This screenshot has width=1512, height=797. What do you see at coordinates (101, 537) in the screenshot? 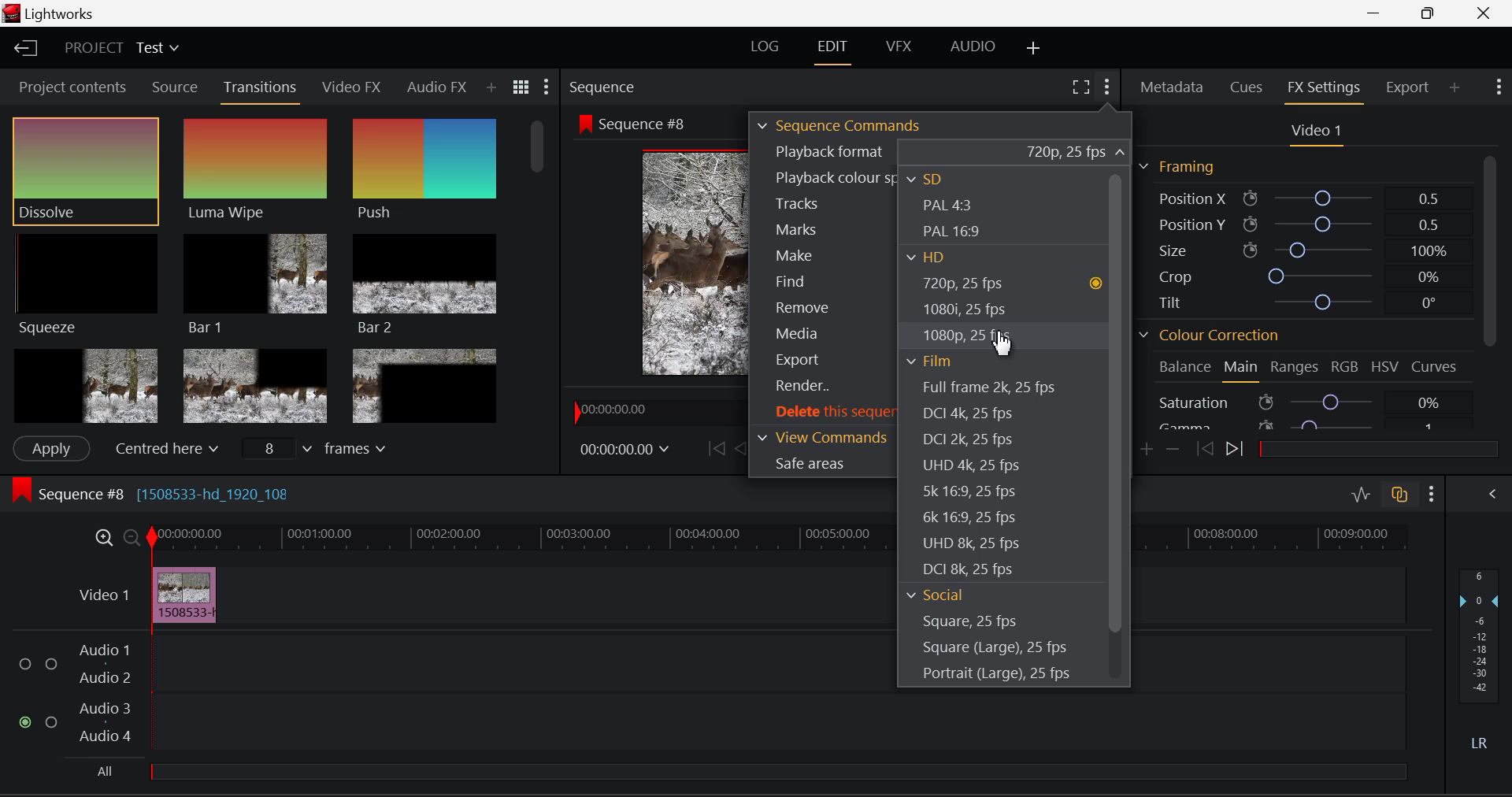
I see `Timeline Zoom In` at bounding box center [101, 537].